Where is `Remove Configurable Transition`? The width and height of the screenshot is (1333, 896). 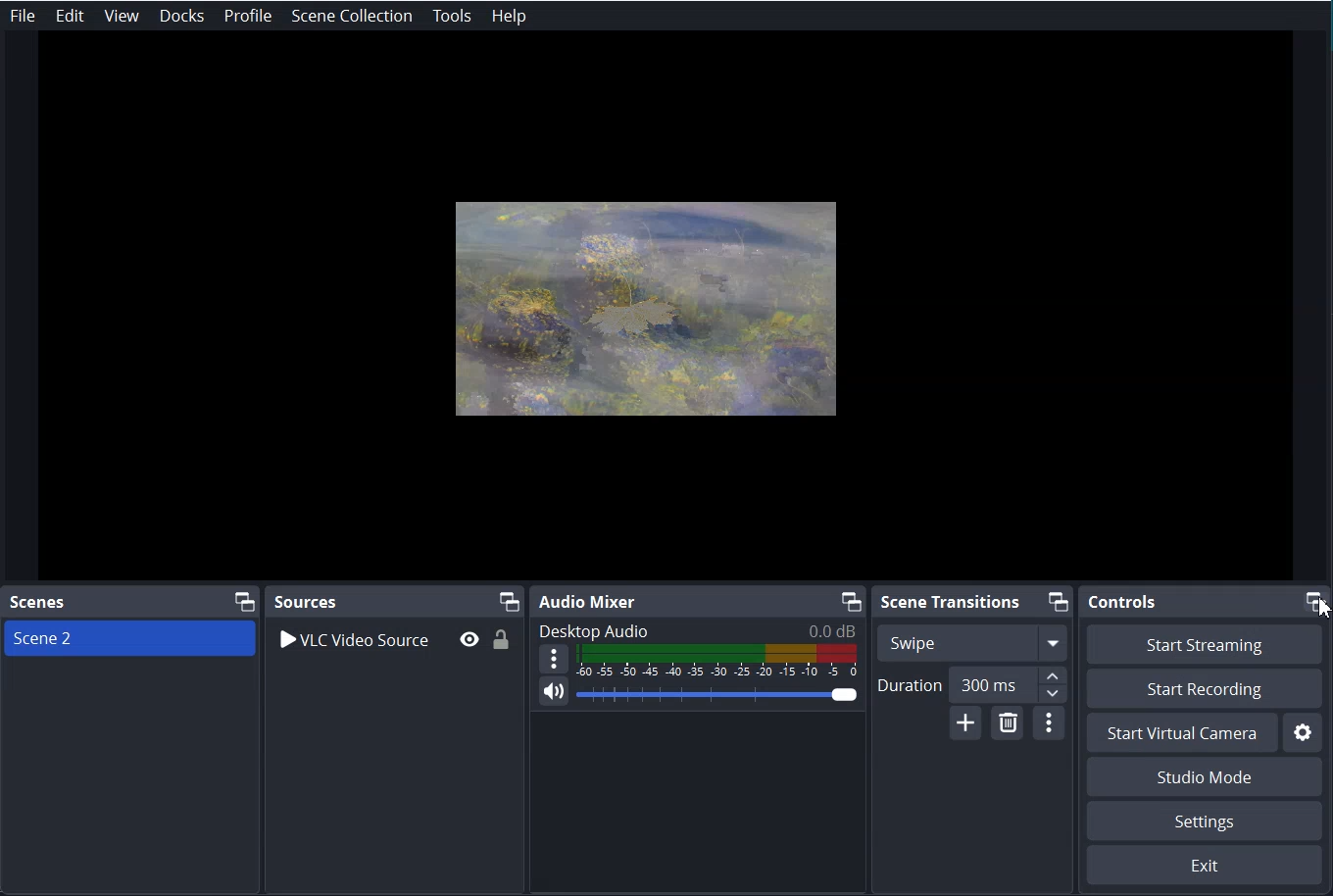 Remove Configurable Transition is located at coordinates (1007, 724).